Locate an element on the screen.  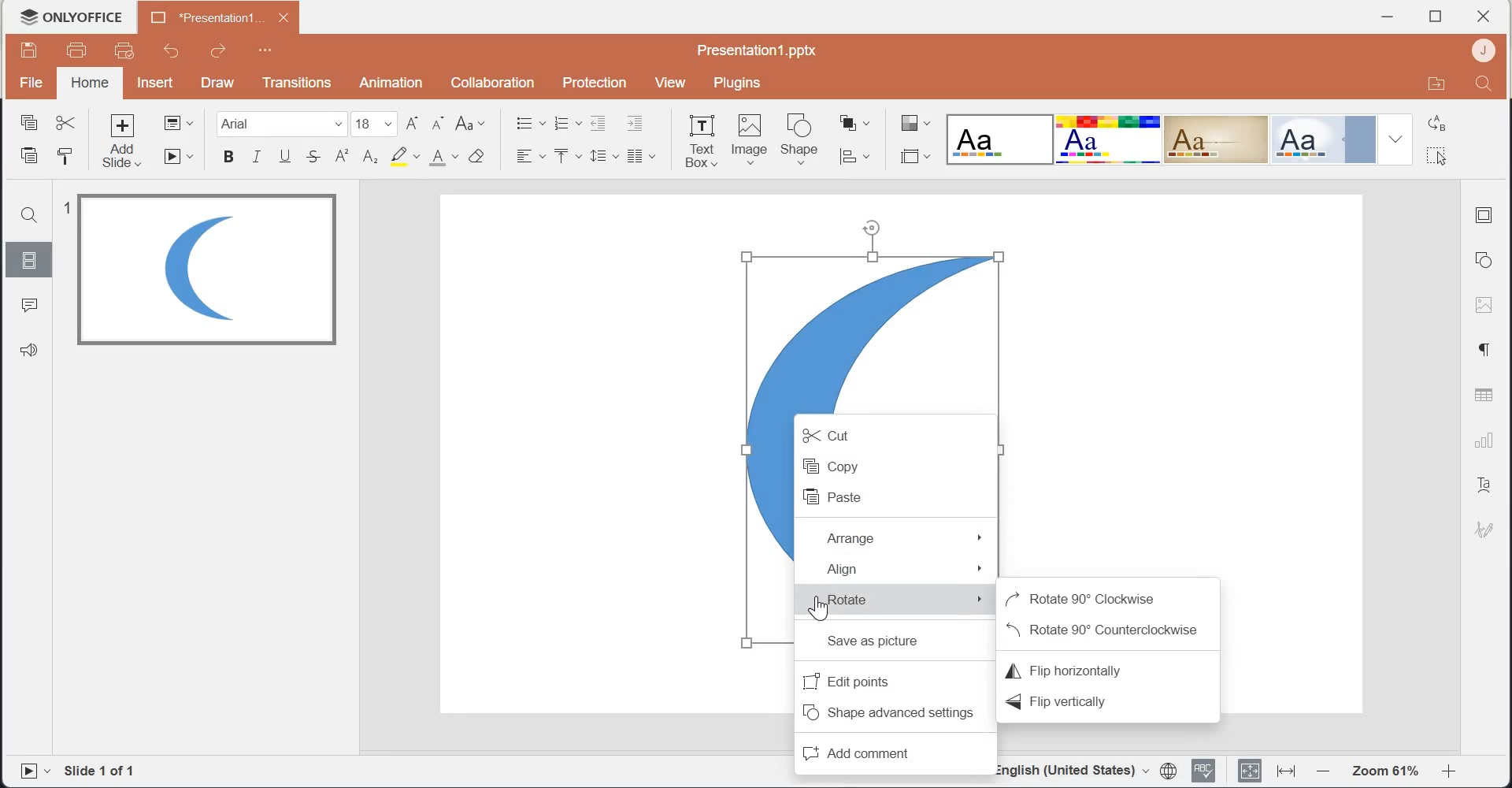
Basic is located at coordinates (1109, 139).